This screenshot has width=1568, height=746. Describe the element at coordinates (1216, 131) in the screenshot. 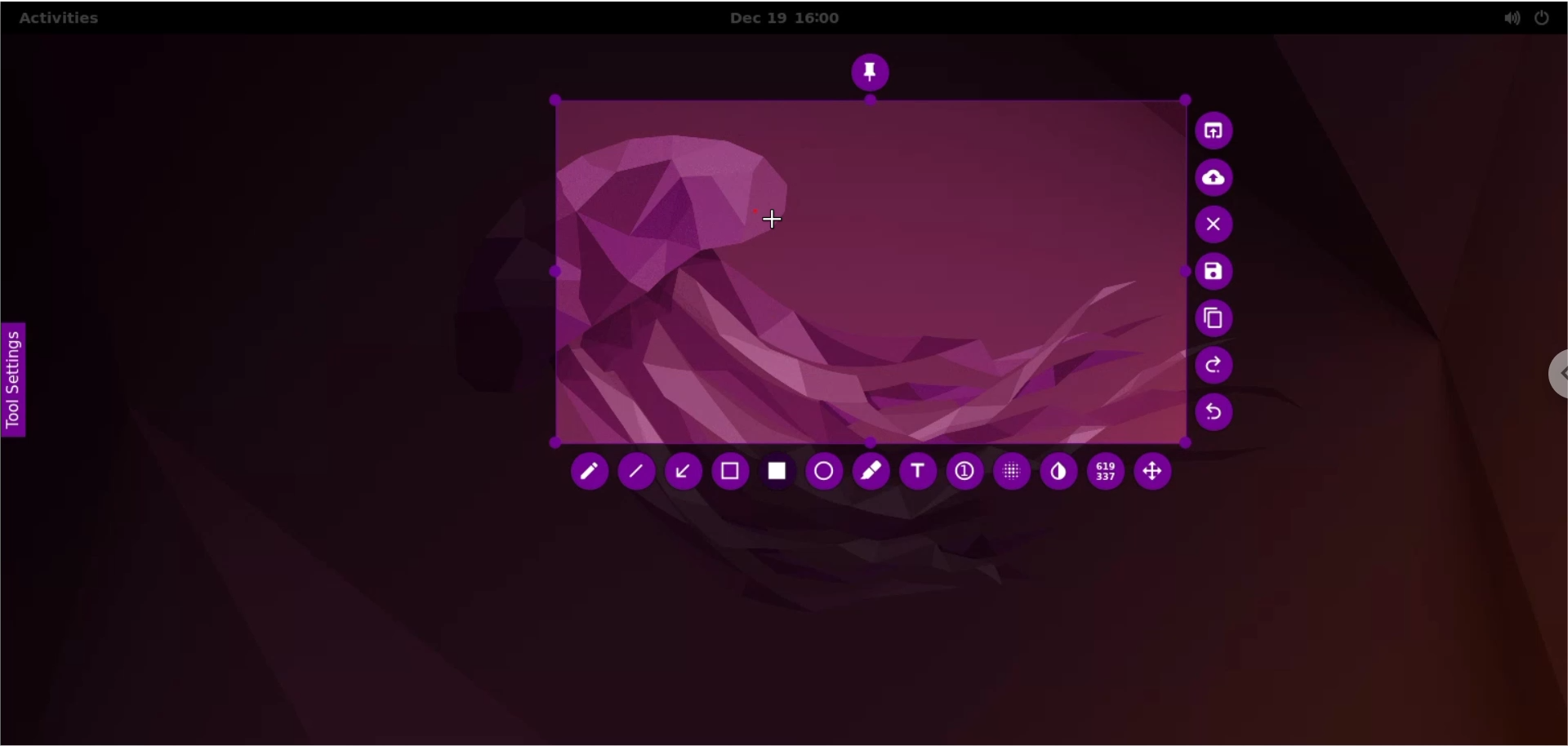

I see `choose app to open screenshot` at that location.